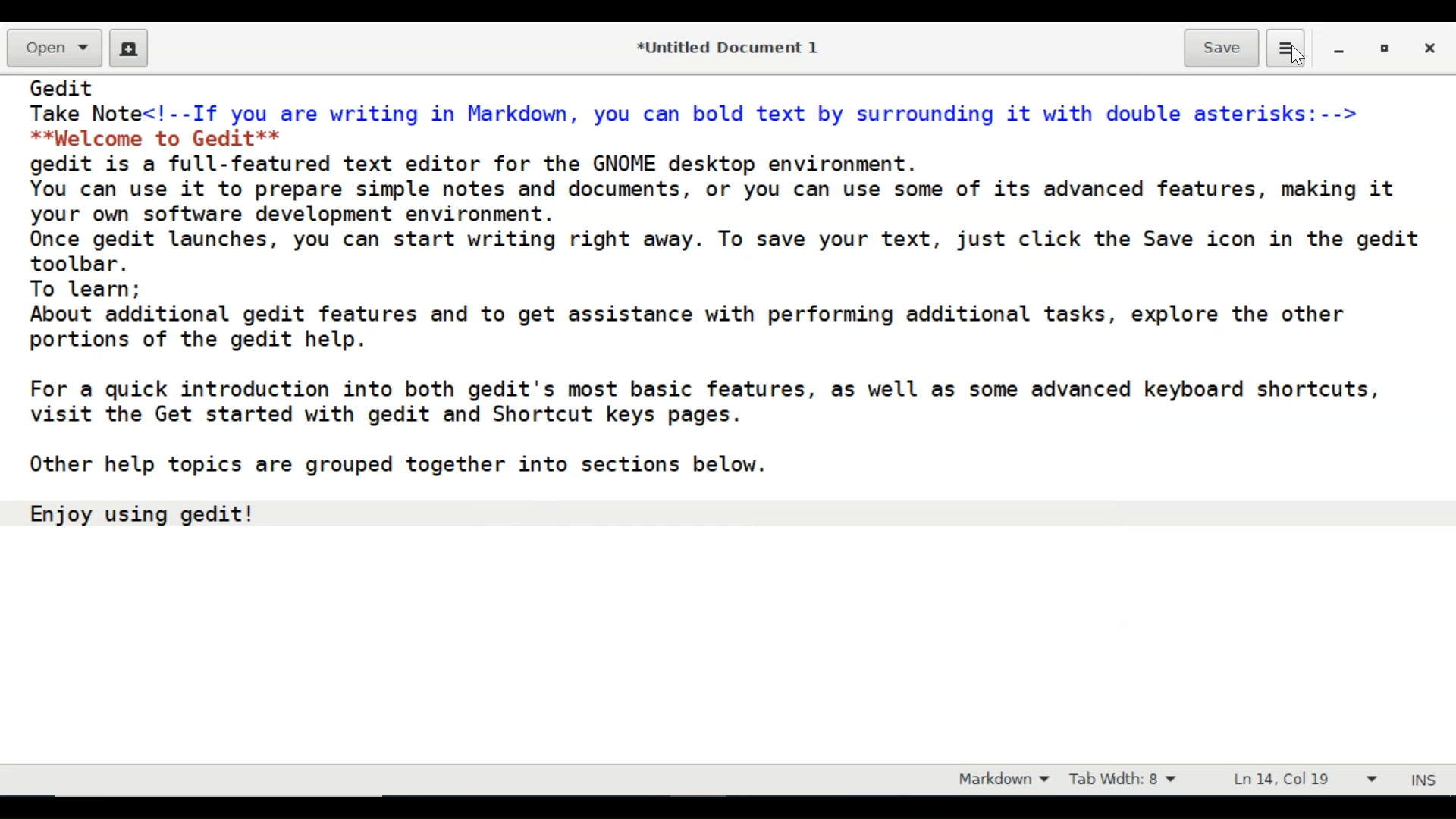  I want to click on Markdown, so click(999, 780).